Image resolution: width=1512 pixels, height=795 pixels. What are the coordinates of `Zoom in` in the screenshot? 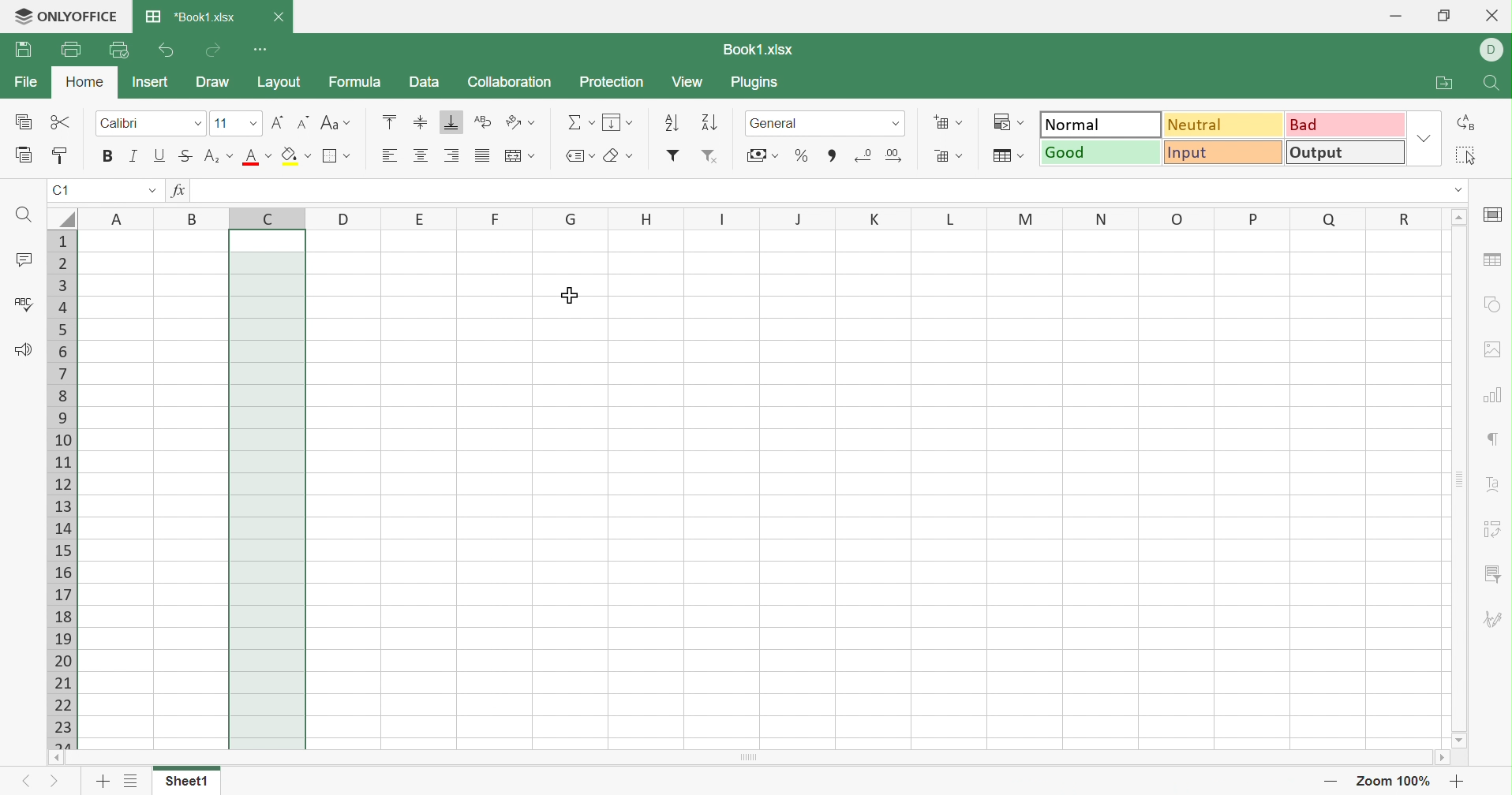 It's located at (1460, 780).